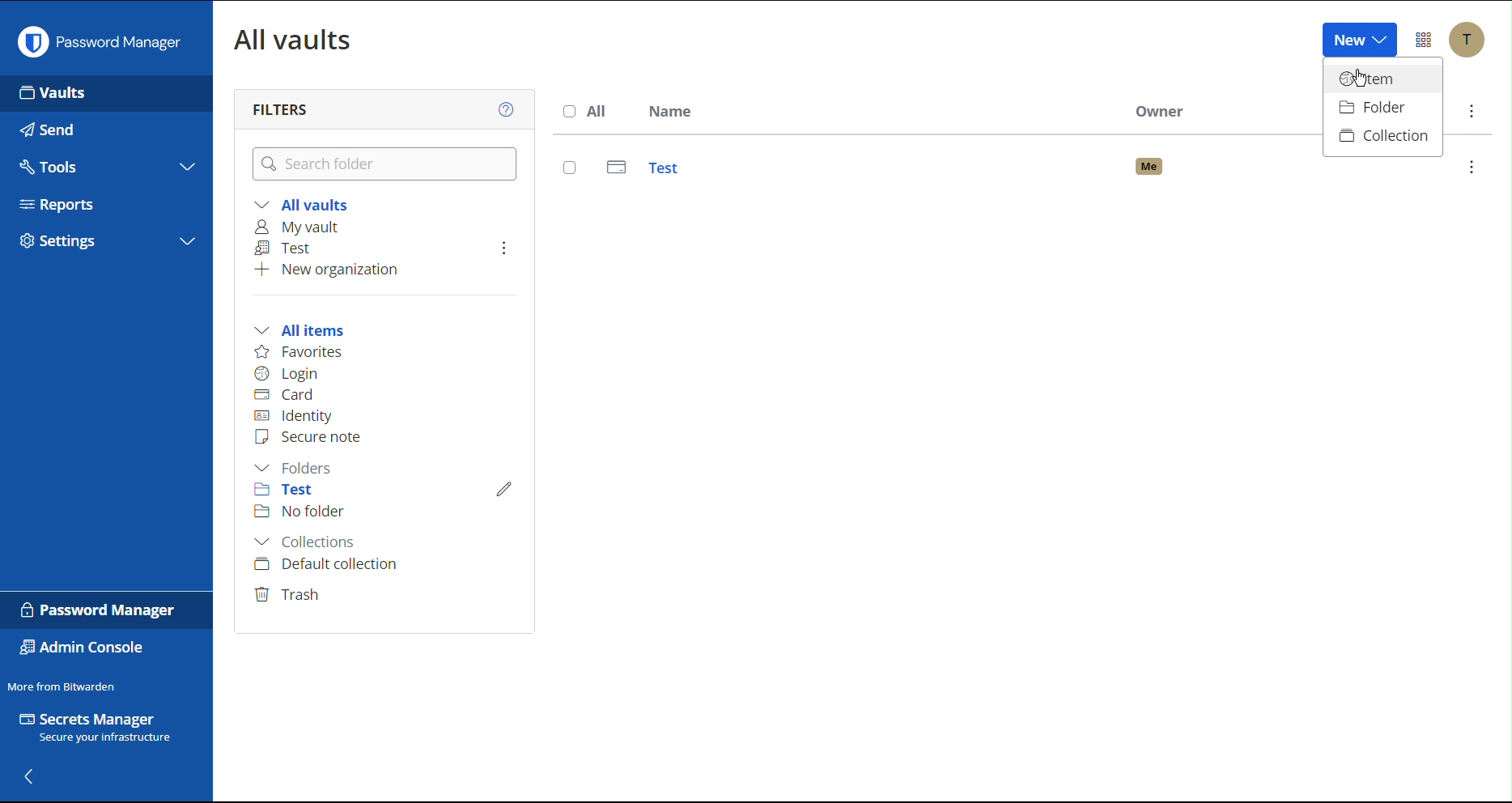  I want to click on options, so click(1474, 167).